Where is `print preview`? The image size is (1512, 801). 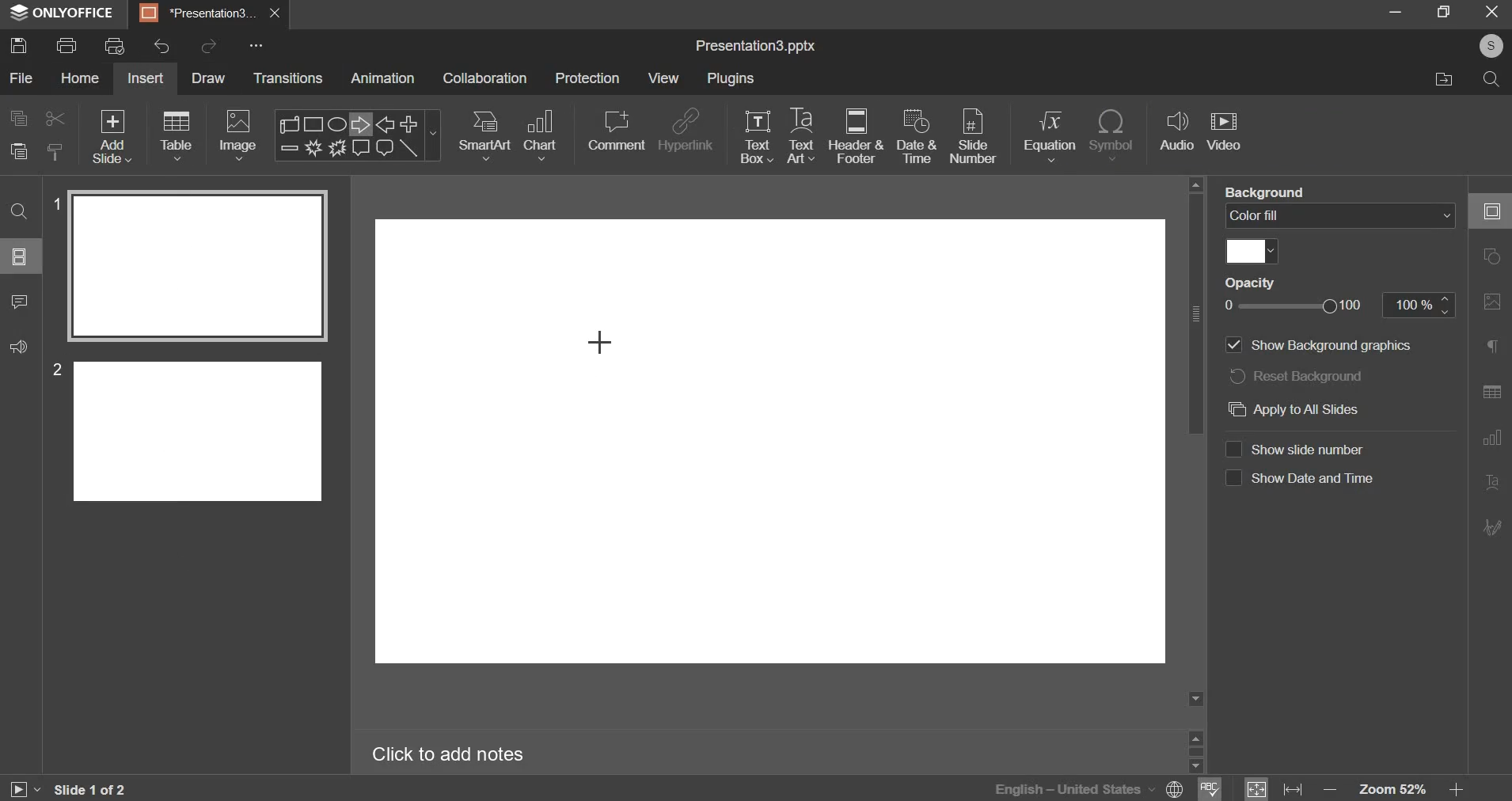 print preview is located at coordinates (115, 45).